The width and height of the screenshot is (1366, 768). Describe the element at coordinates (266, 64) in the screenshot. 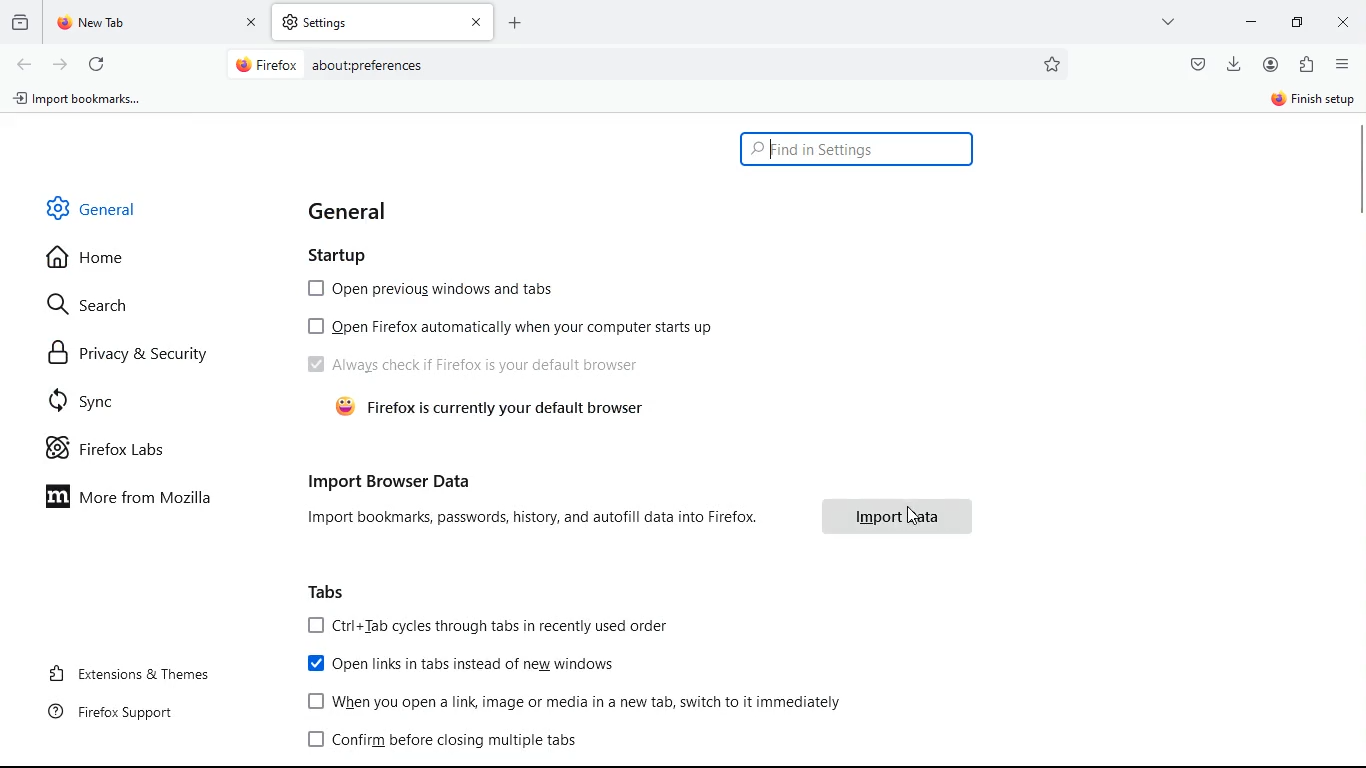

I see `Firefox` at that location.